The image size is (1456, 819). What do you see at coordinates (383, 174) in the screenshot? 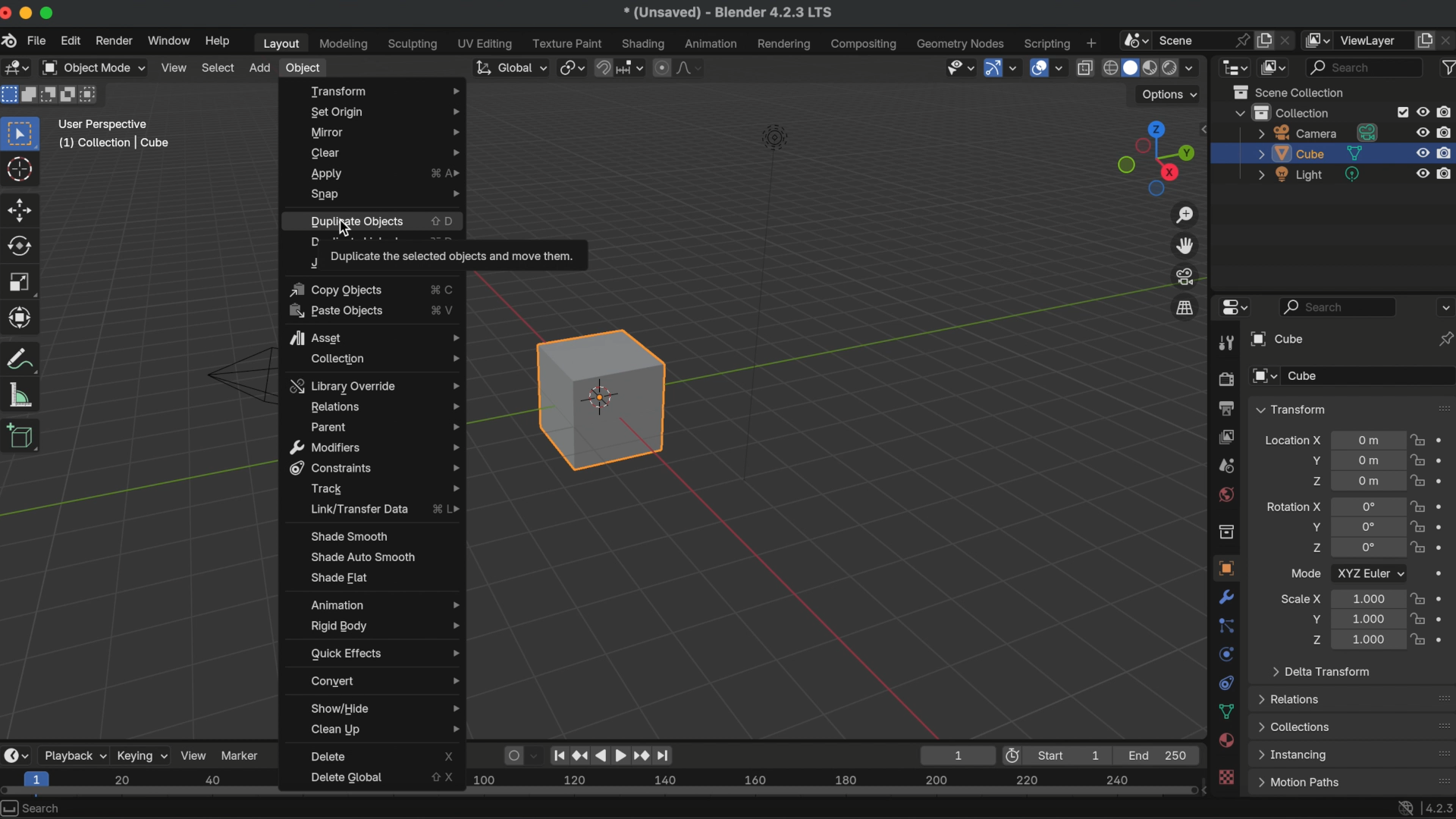
I see `apply menu` at bounding box center [383, 174].